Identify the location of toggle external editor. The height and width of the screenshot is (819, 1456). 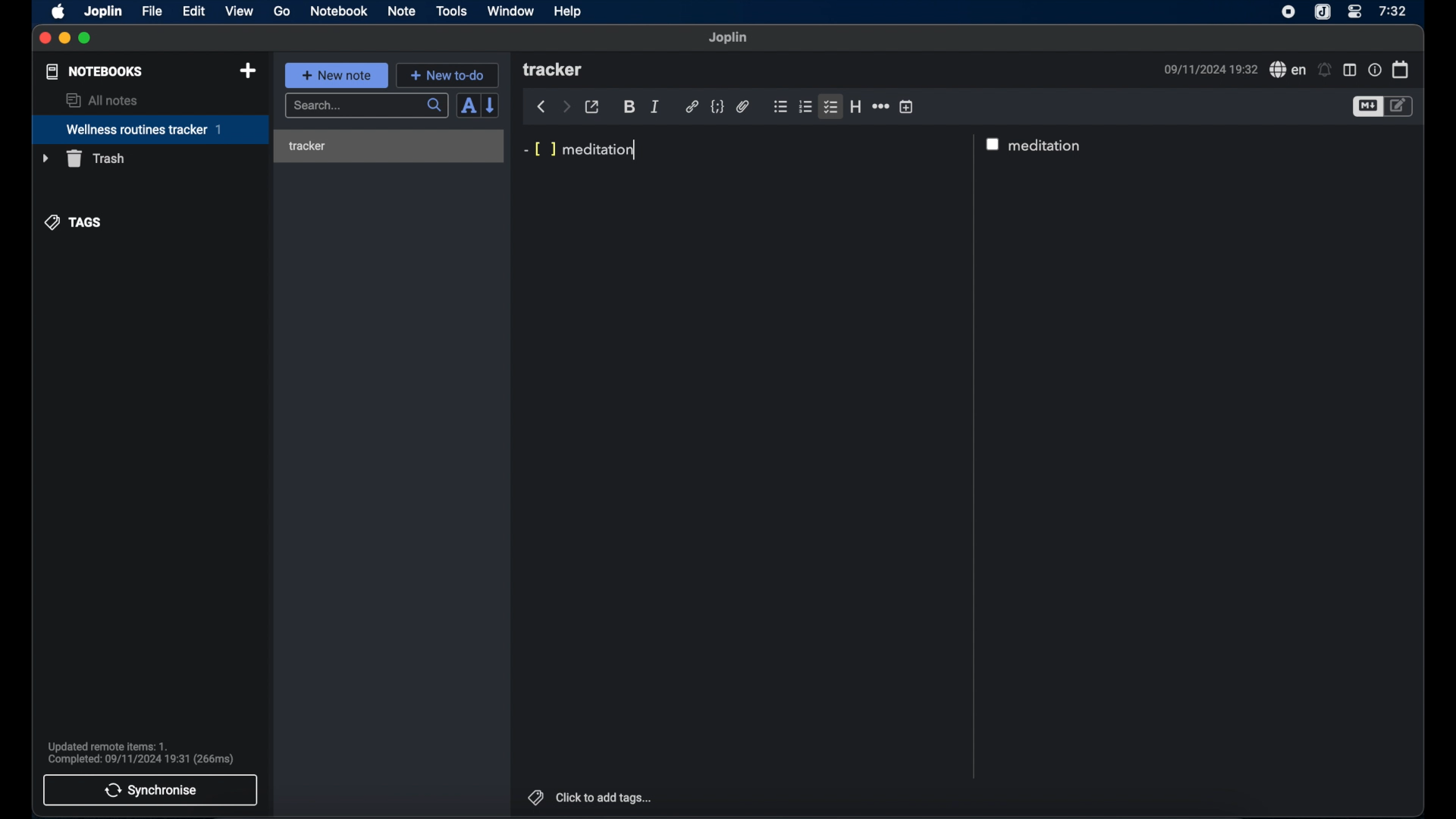
(592, 106).